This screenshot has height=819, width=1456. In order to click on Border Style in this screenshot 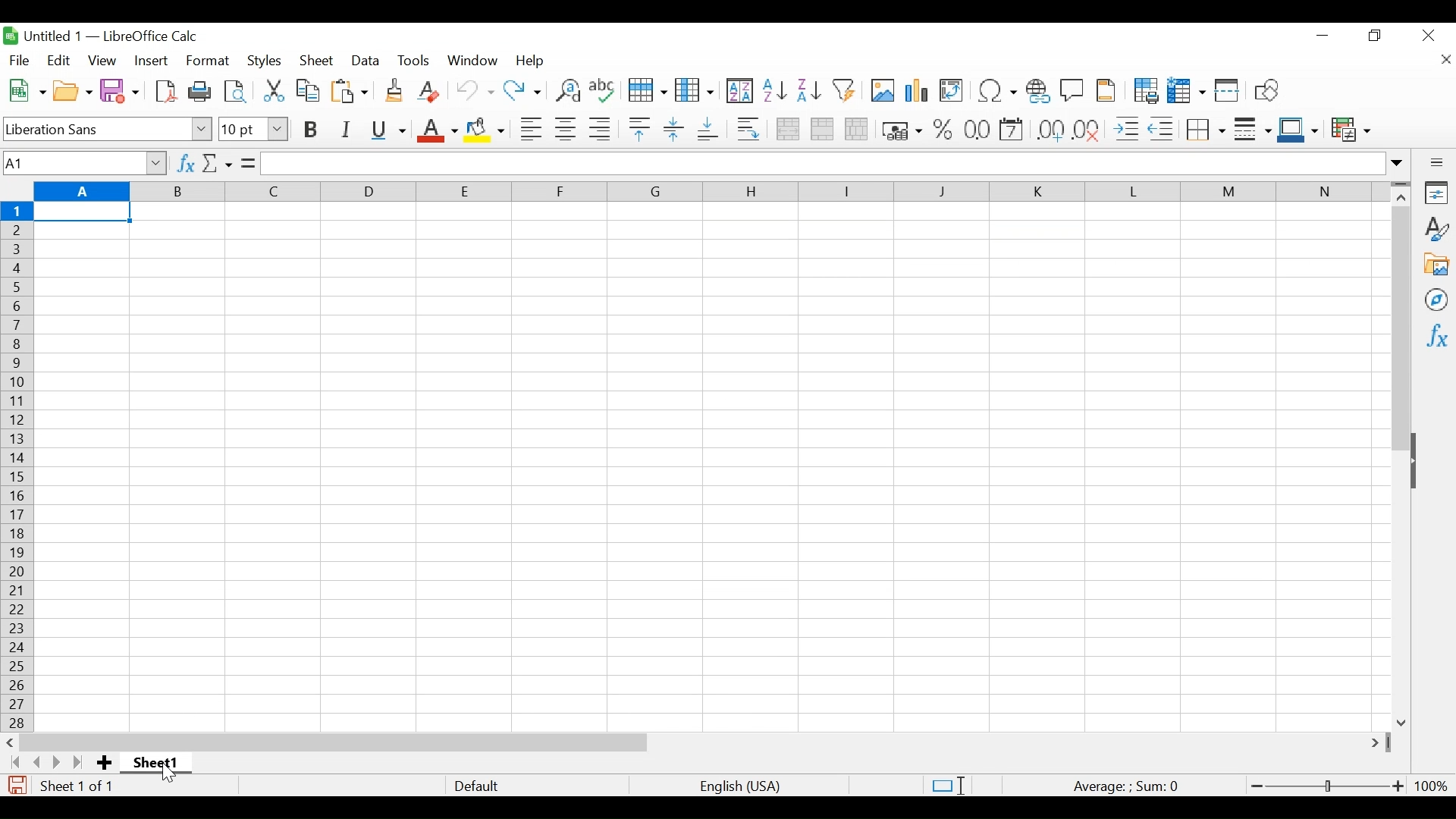, I will do `click(1253, 131)`.